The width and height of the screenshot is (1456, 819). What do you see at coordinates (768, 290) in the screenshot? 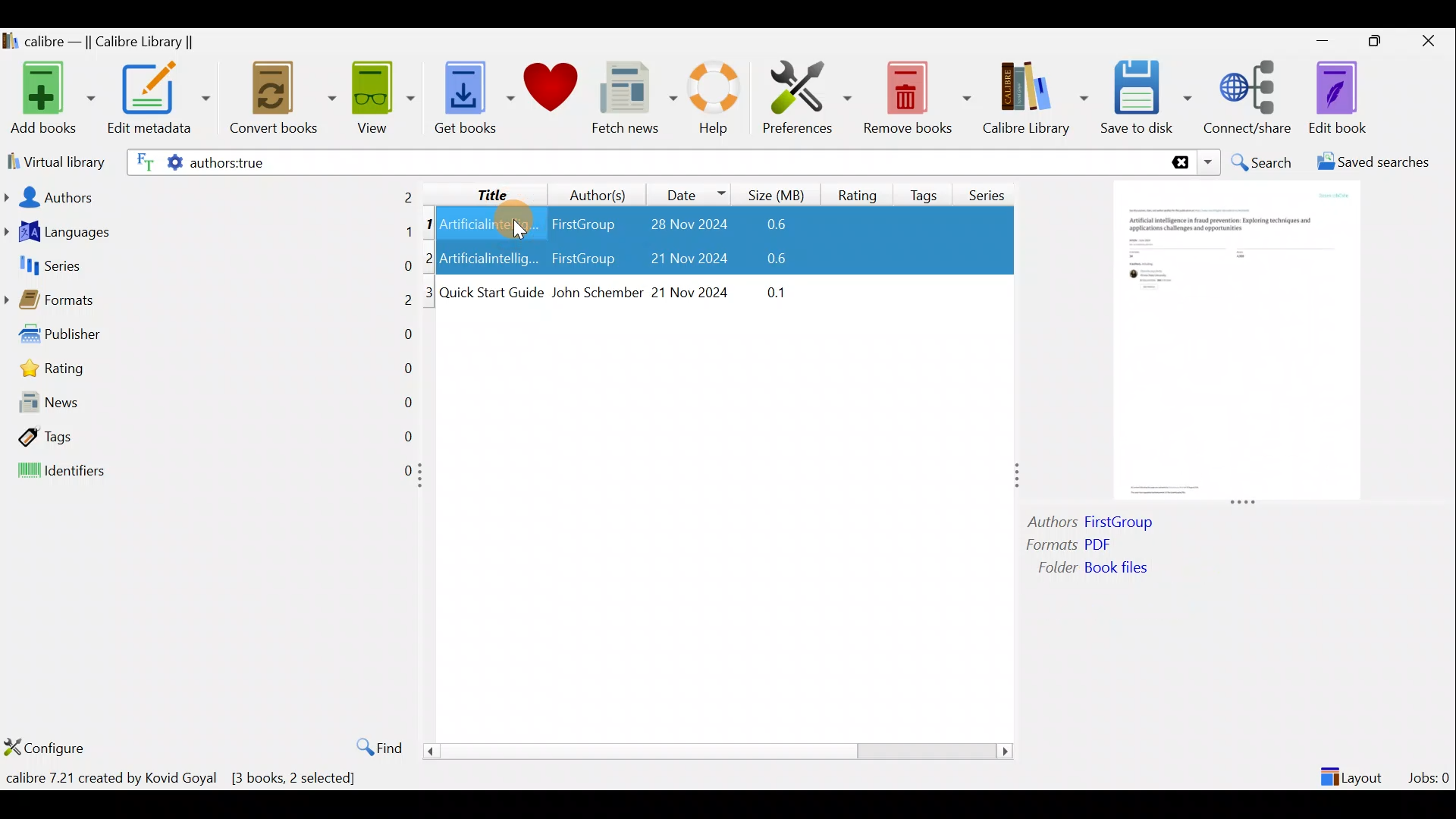
I see `0.1` at bounding box center [768, 290].